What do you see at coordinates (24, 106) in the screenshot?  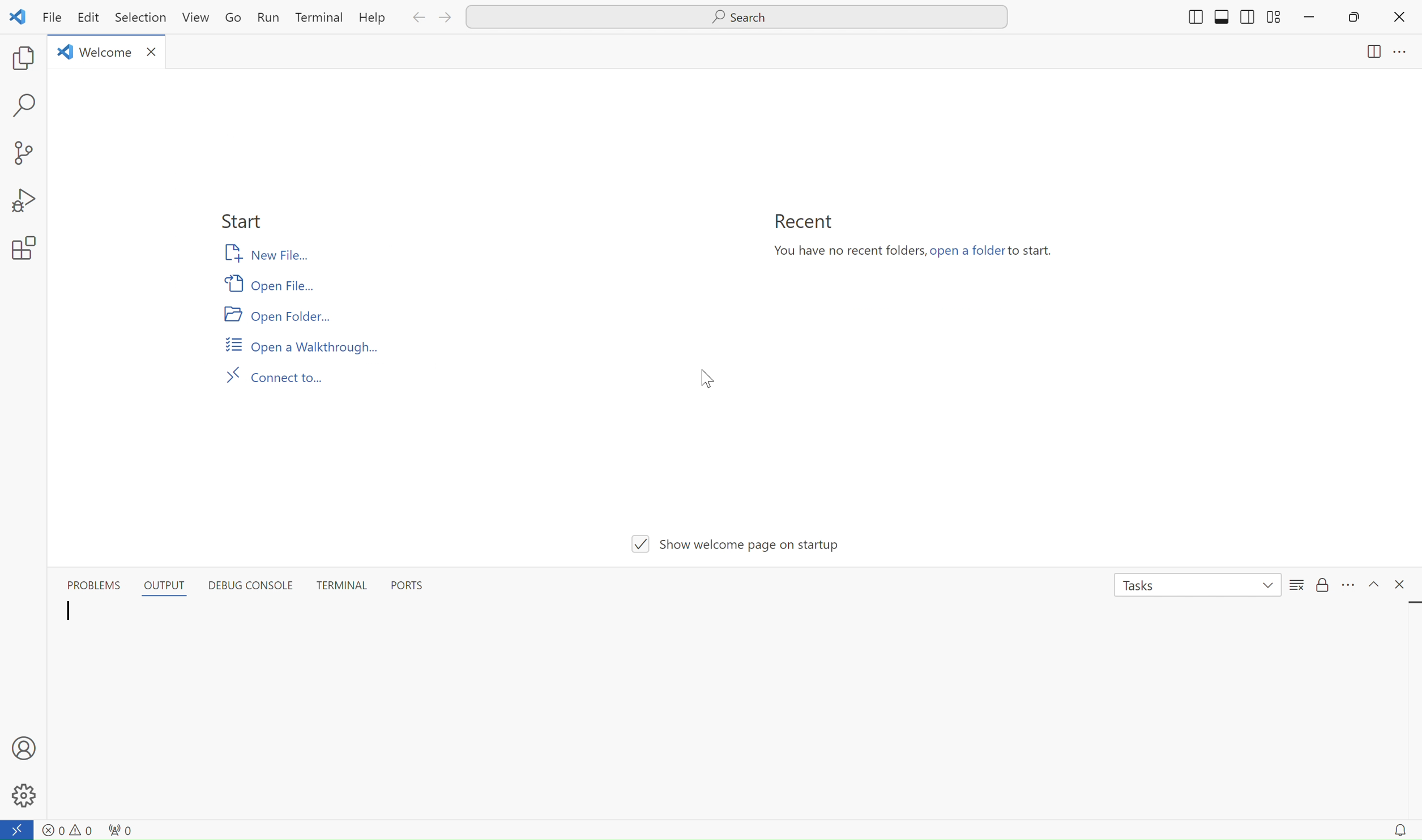 I see `search` at bounding box center [24, 106].